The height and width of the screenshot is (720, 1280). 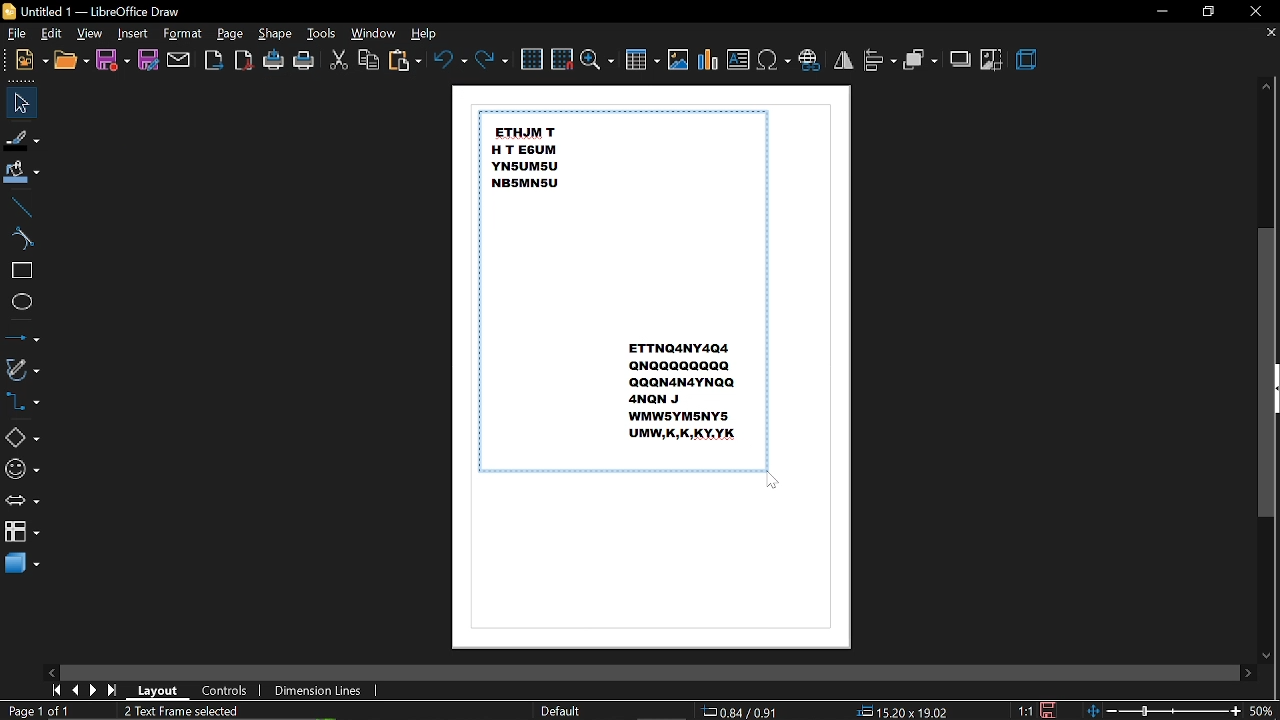 What do you see at coordinates (992, 60) in the screenshot?
I see `crop` at bounding box center [992, 60].